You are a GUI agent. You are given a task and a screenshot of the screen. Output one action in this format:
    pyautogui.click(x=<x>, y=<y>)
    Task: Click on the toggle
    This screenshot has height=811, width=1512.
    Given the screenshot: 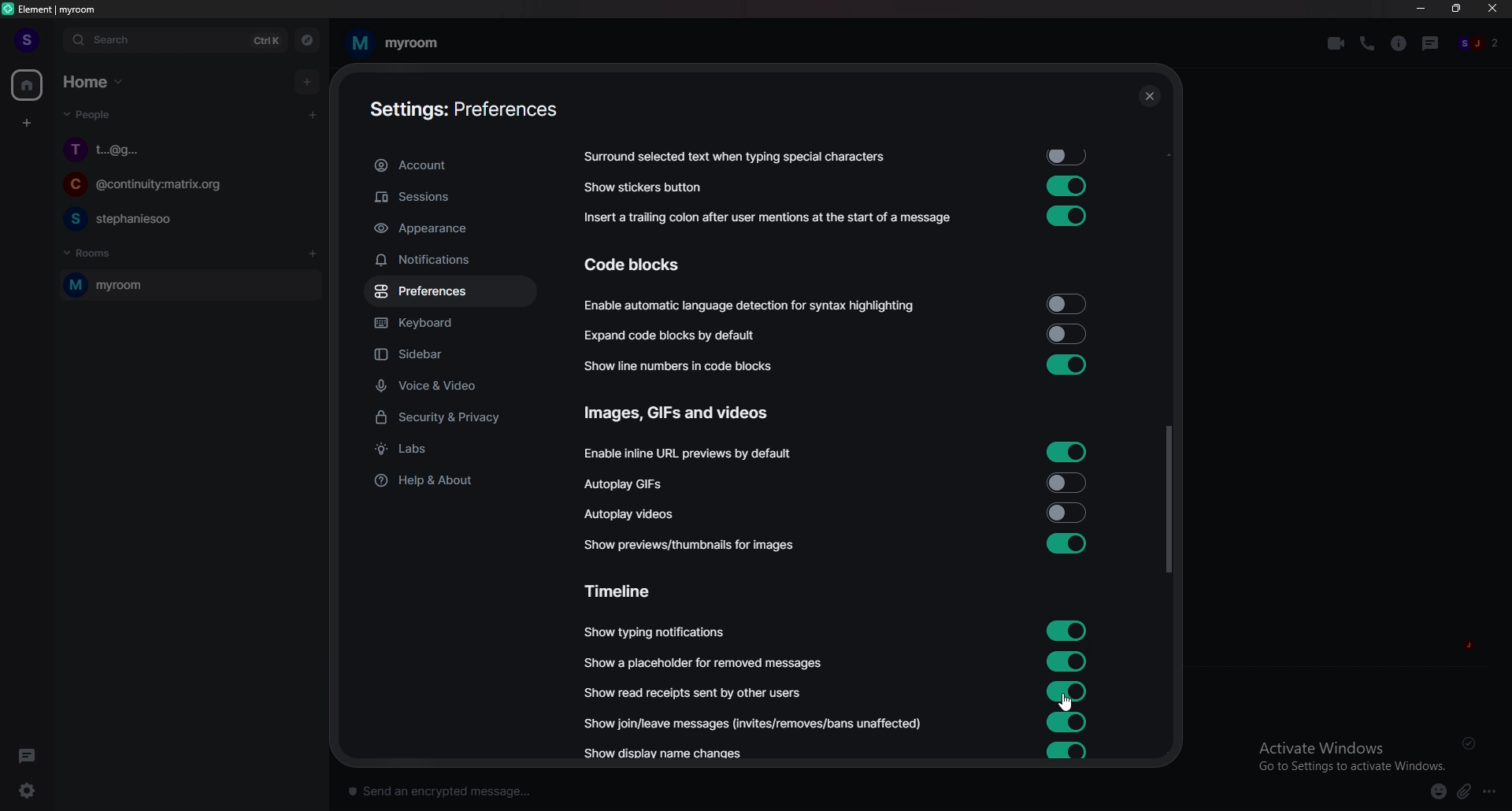 What is the action you would take?
    pyautogui.click(x=1065, y=305)
    